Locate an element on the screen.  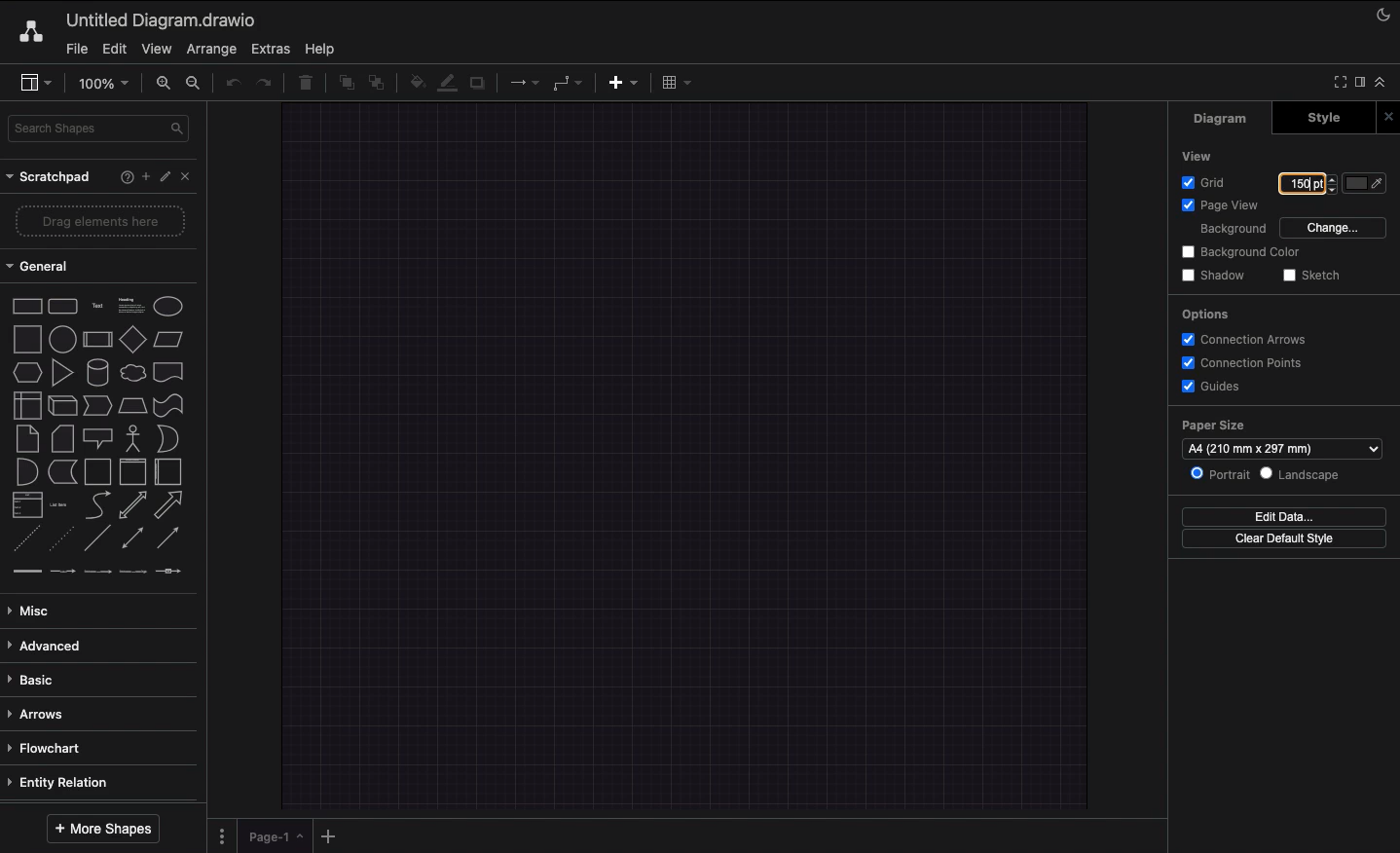
Drag elements here is located at coordinates (101, 220).